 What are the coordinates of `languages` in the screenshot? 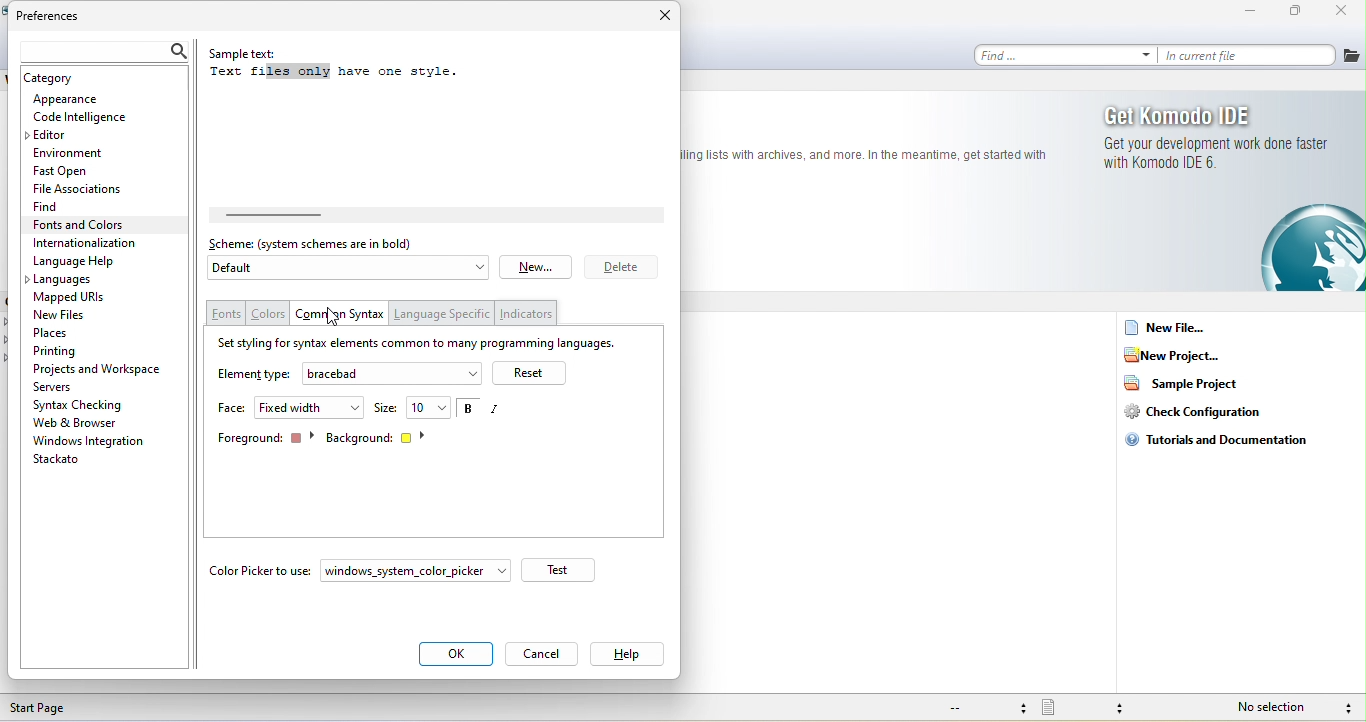 It's located at (78, 280).